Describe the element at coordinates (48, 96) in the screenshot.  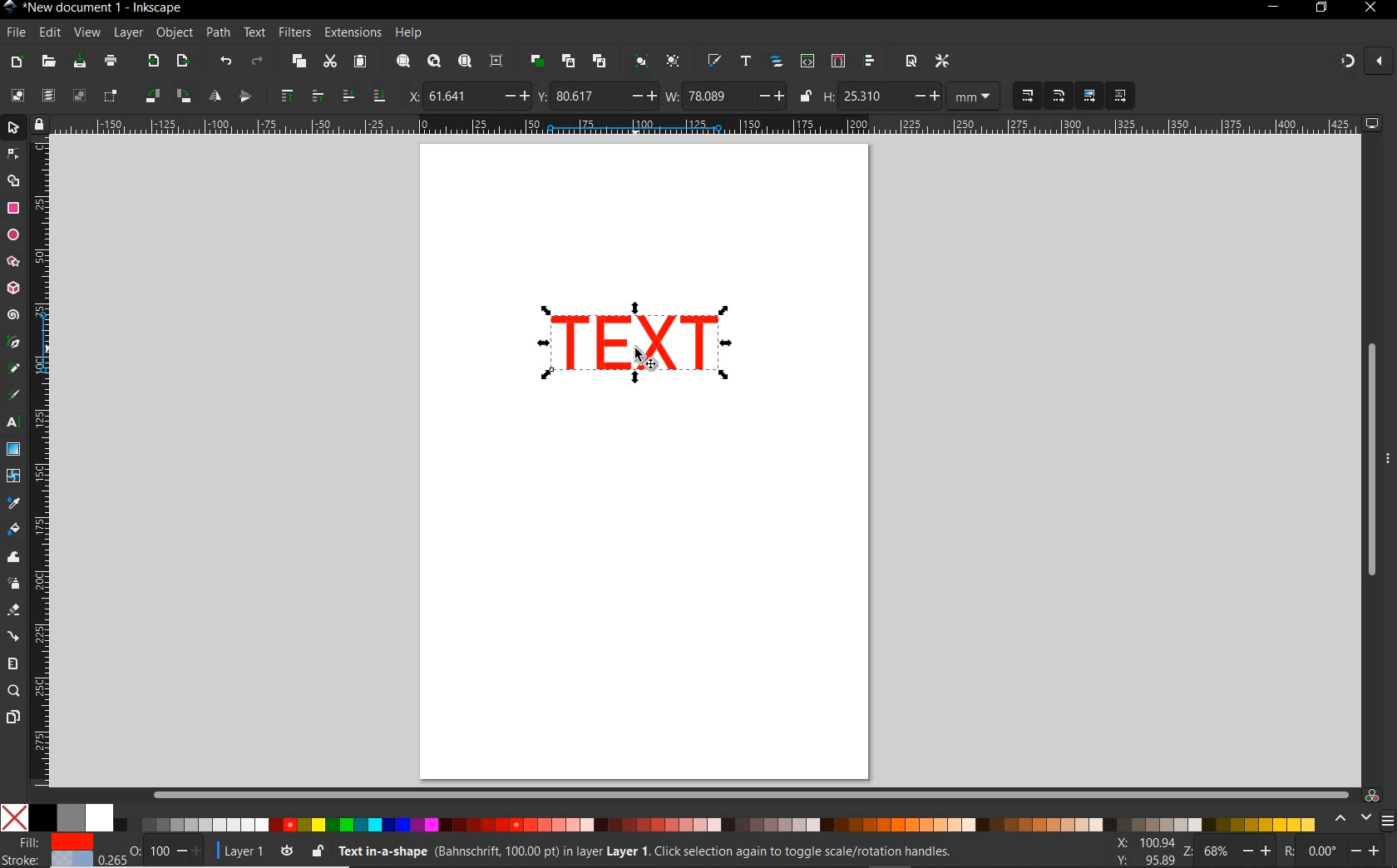
I see `select all in all layers` at that location.